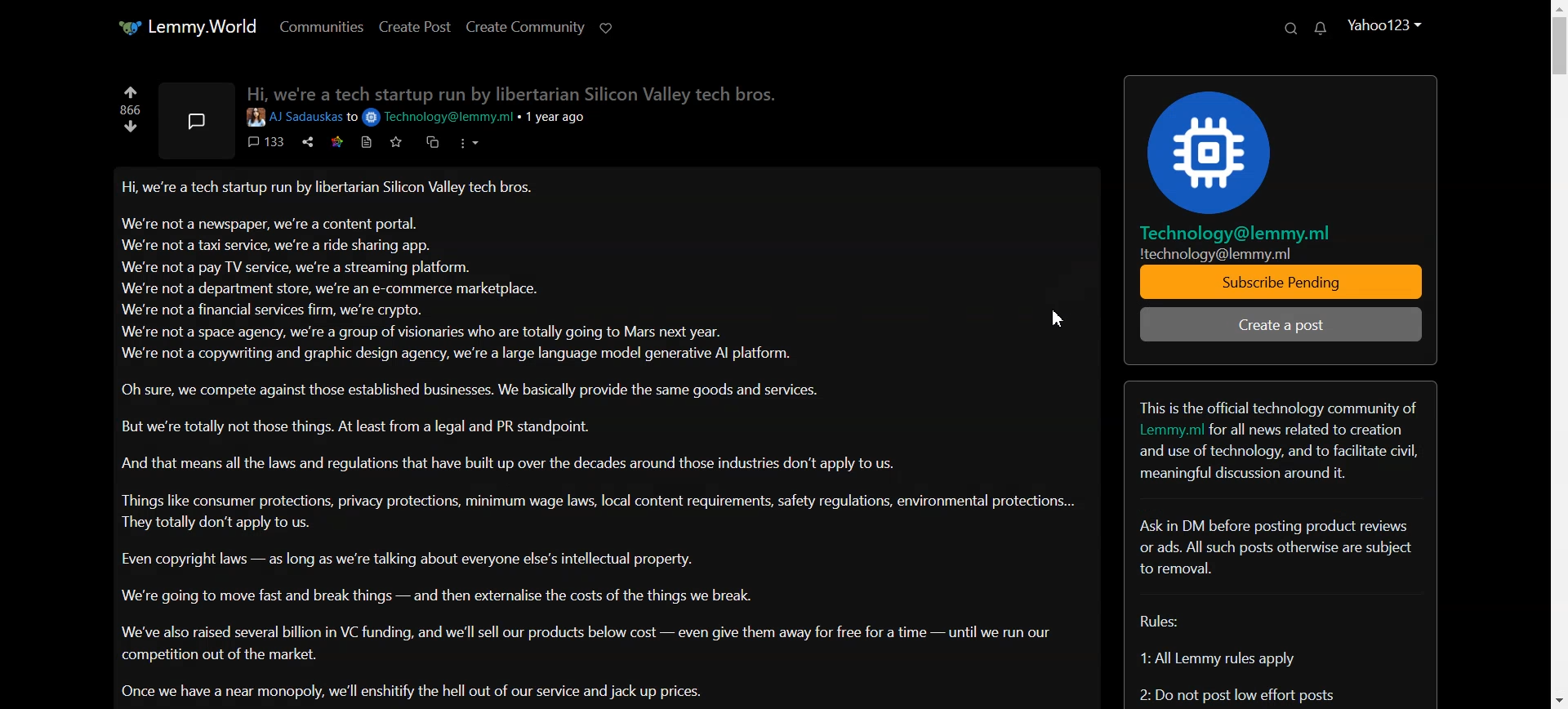 Image resolution: width=1568 pixels, height=709 pixels. What do you see at coordinates (602, 441) in the screenshot?
I see `Hi, we're a tech startup run by libertarian Silicon Valley tech bros. We're not a newspaper, we're a content portal. We're not a taxi service, we're a ride sharing app. We're not a pay TV service, we're a streaming platform. We're not a department store, we're an e-commerce marketplace. We're not a financial services firm, we're crypto. We're not a space agency, we're a group of visionaries who are totally going to Mars next year. We're not a copywriting and graphic design agency, we're a large language model generative Al platform. Oh sure, we compete against those established businesses. We basically provide the same goods and services. But we're totally not those things. At least from a legal and PR standpoint. And that means all the laws and regulations that have built up over the decades around those industries don't apply to us. Things like consumer protections, privacy protections, minimum wage laws, local content requirements, safety regulations, environmental protections... They totally don't apply to us. Even copyright laws — as long as we're talking about everyone else's intellectual property. We're going to move fast and break things — and then externalise the costs of the things we break. We've also raised several billion in VC funding, and we'll sell our products below cost — even give them away for free for a time — until we run our competition out of the market. Once we have a near monopoly, we'll enshitify the hell out of our service and jack up our prices.` at bounding box center [602, 441].